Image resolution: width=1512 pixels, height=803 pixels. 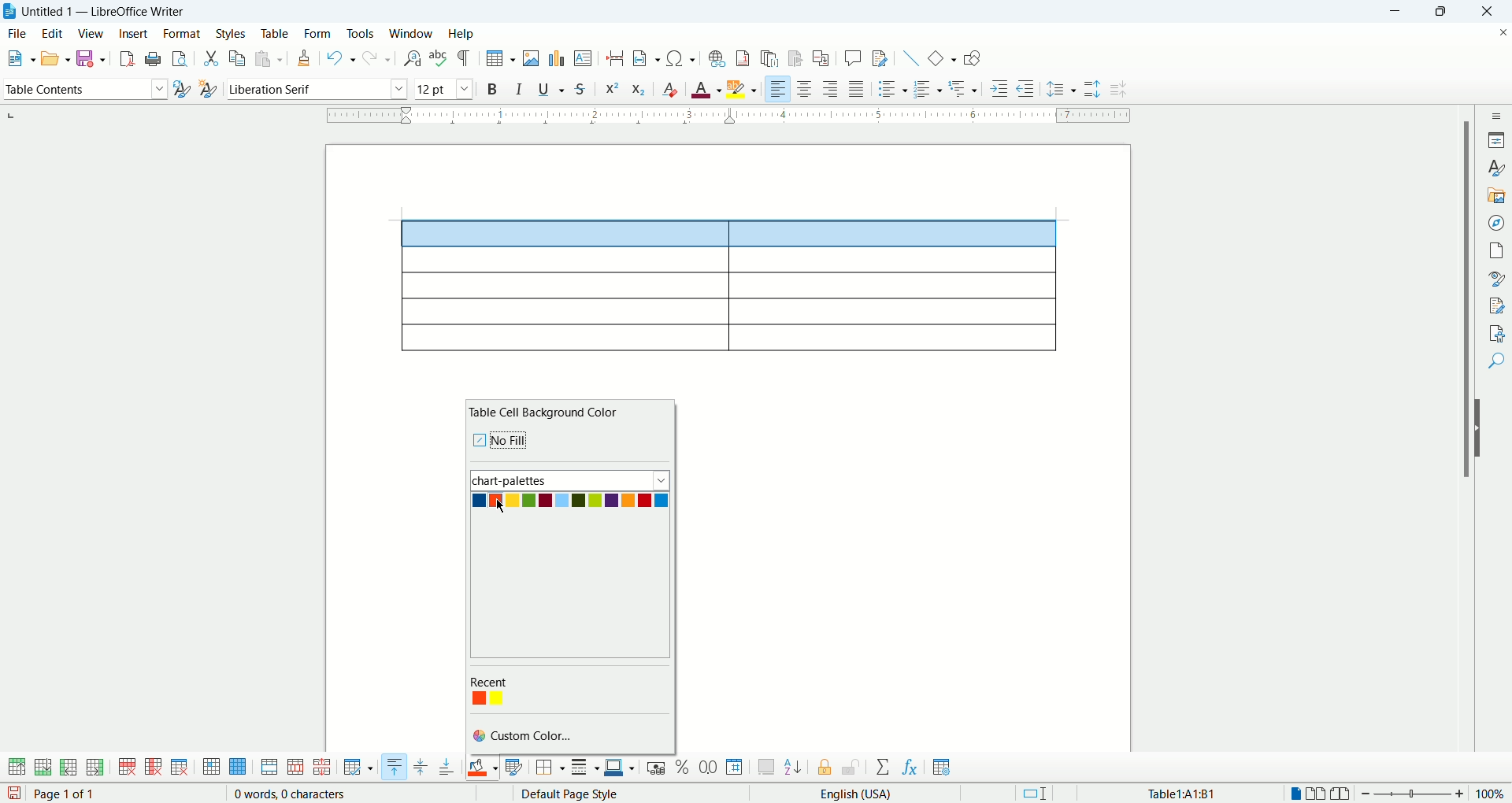 I want to click on view, so click(x=91, y=33).